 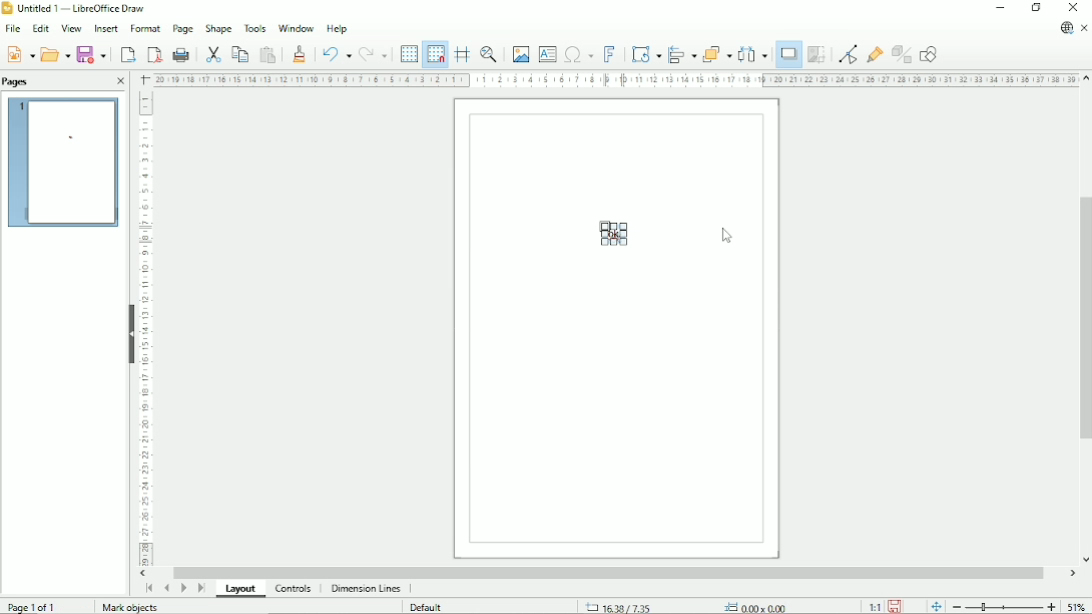 What do you see at coordinates (937, 606) in the screenshot?
I see `Fit page to window` at bounding box center [937, 606].